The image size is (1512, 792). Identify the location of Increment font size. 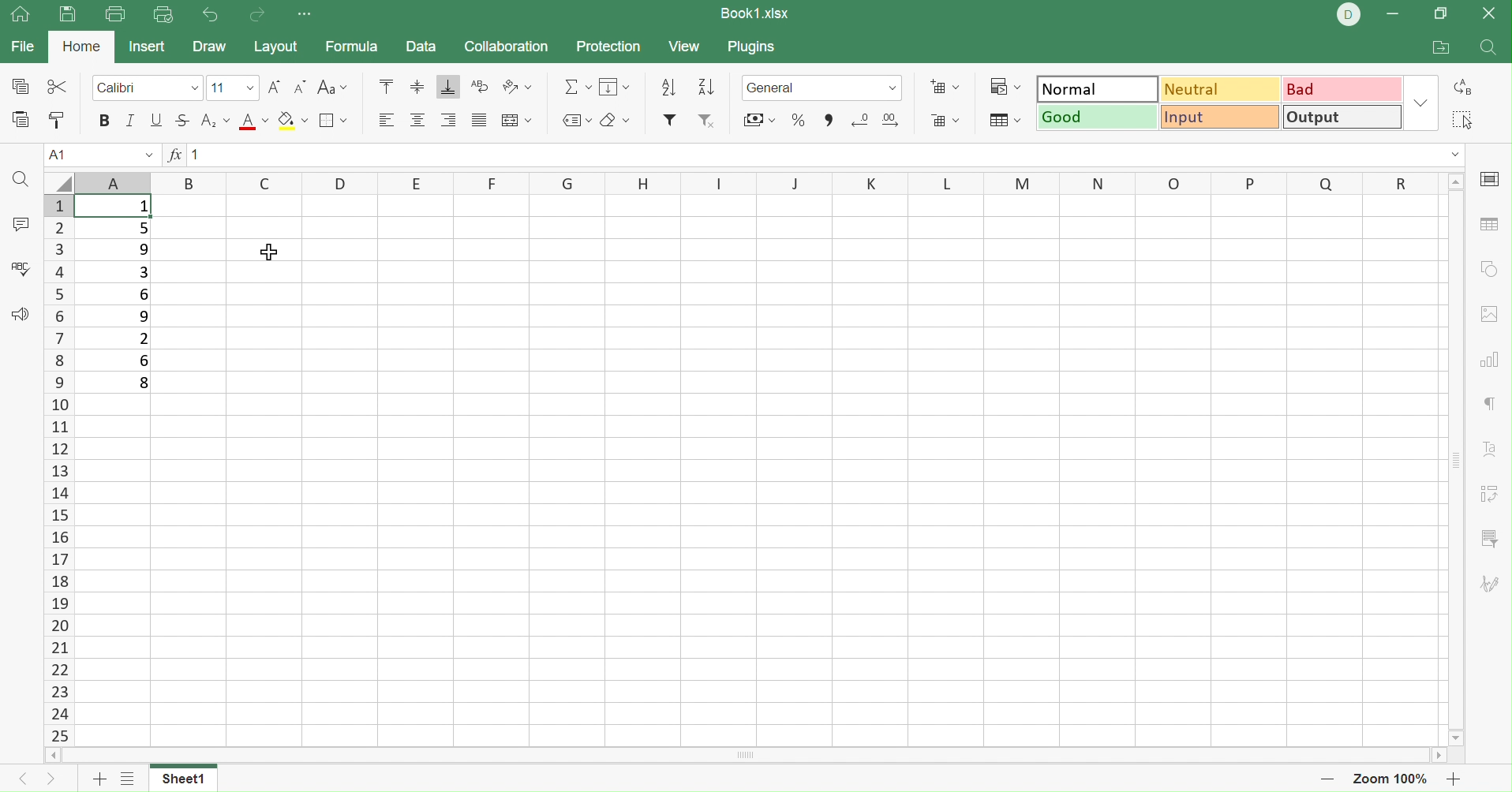
(273, 87).